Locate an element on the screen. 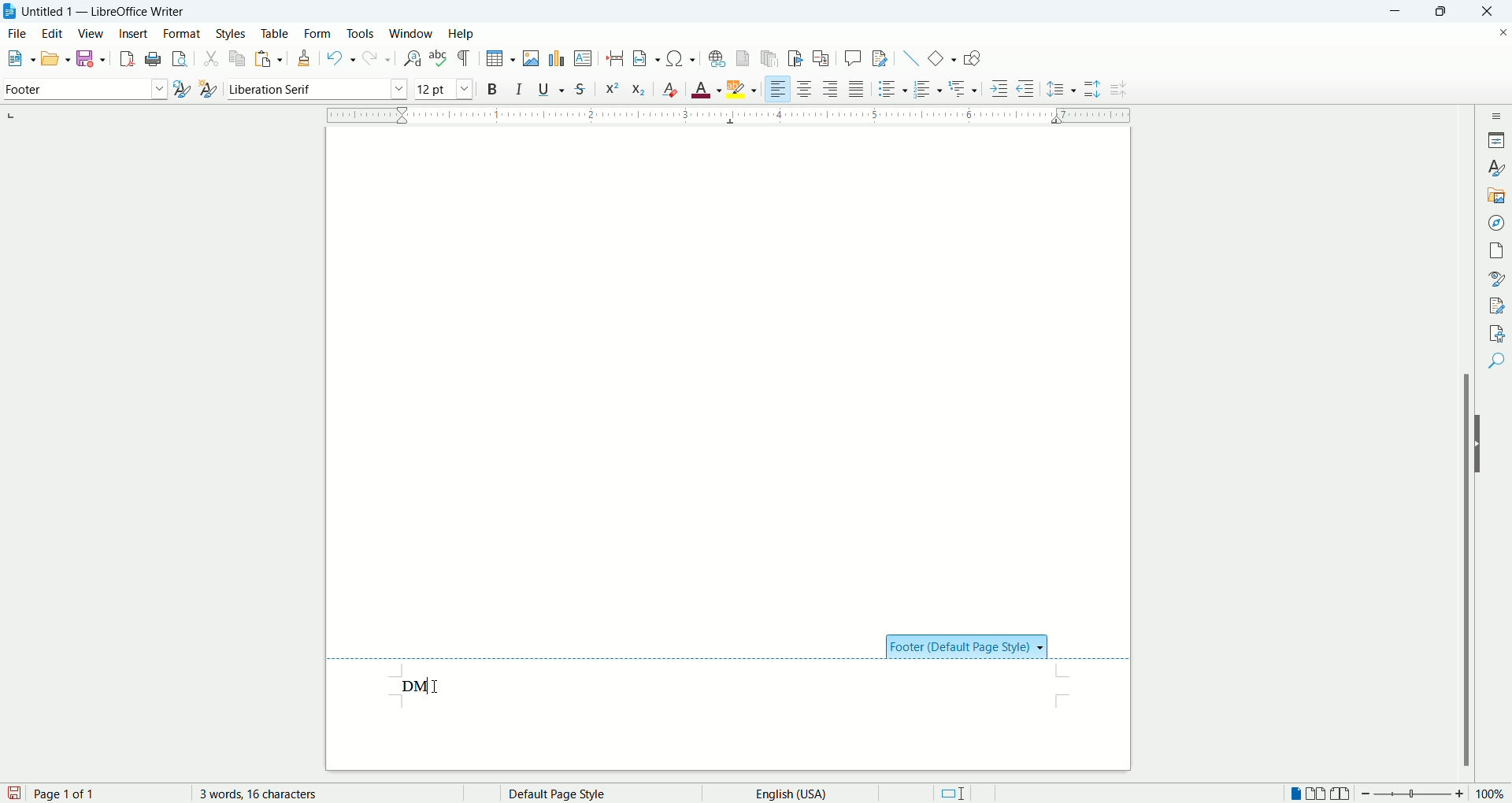  cut is located at coordinates (211, 60).